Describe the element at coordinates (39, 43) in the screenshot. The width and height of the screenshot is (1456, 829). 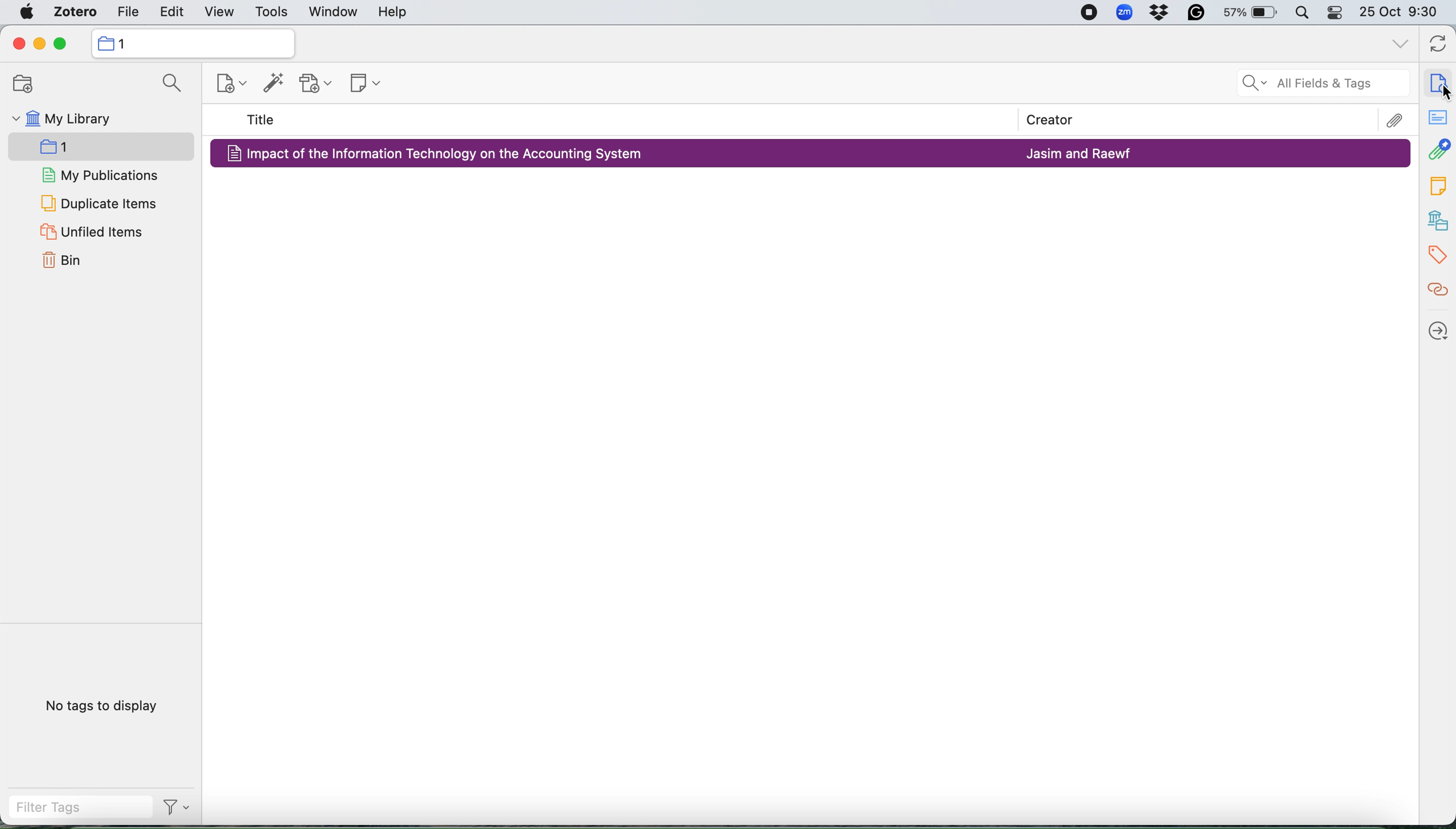
I see `minimise` at that location.